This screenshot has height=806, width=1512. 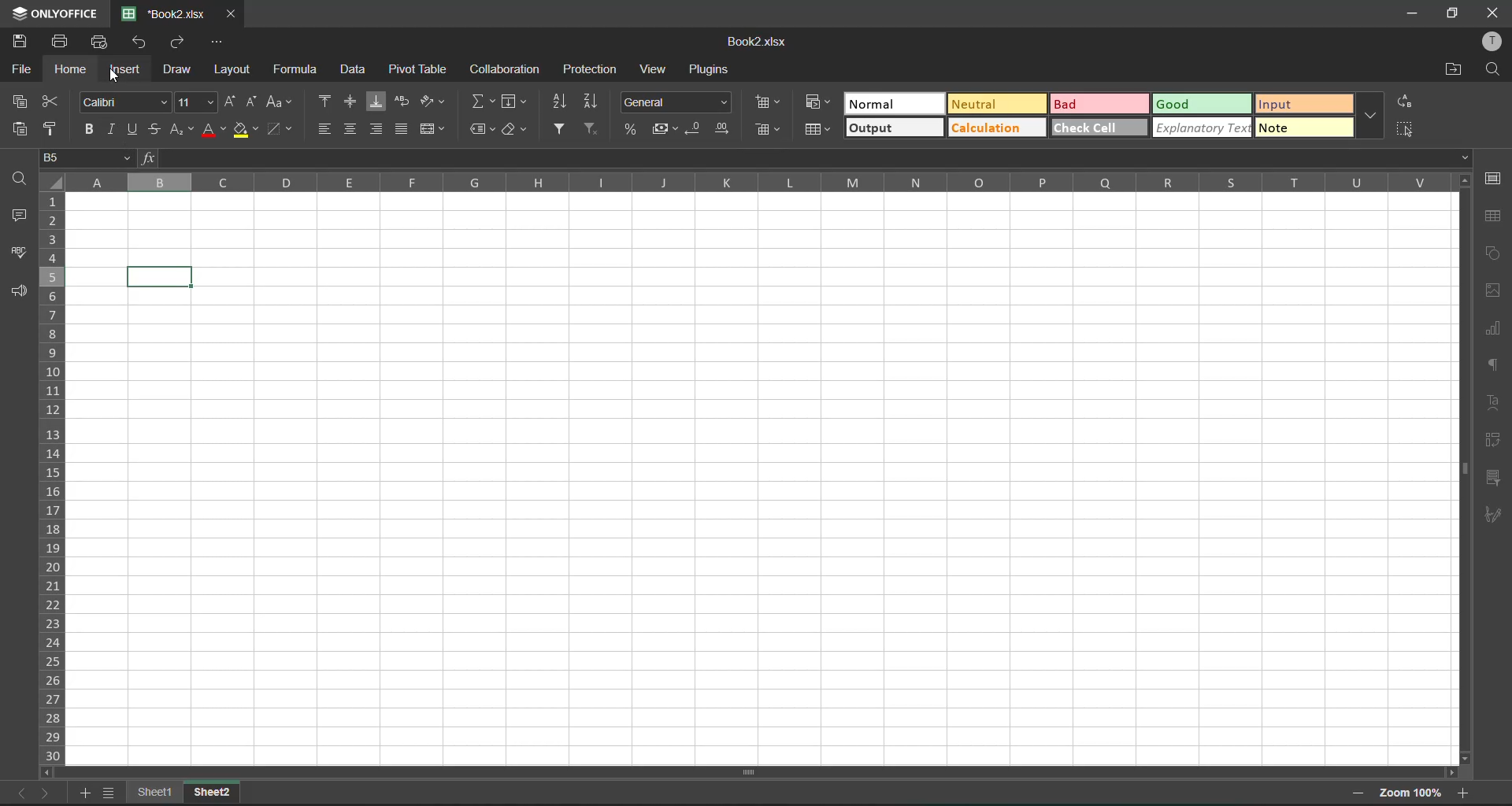 What do you see at coordinates (53, 12) in the screenshot?
I see `ONLY OFFICE` at bounding box center [53, 12].